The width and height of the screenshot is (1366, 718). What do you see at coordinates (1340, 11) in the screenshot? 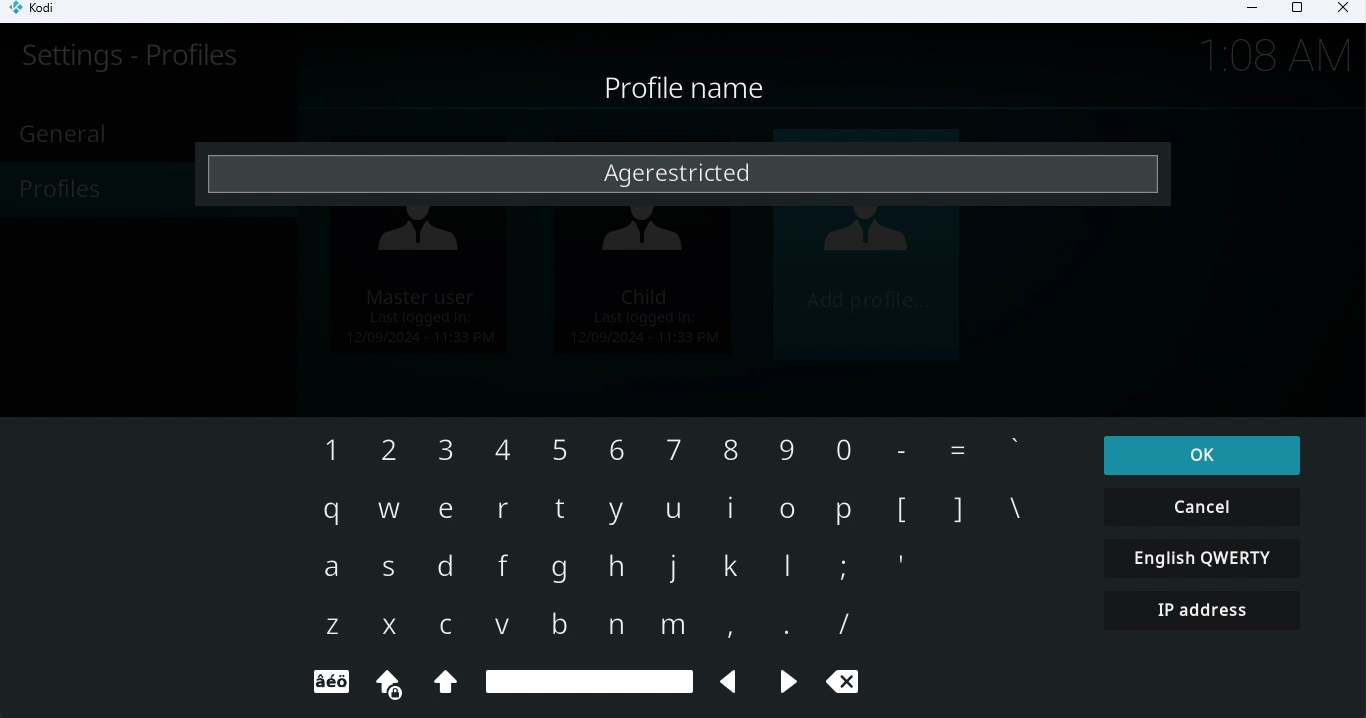
I see `Close` at bounding box center [1340, 11].